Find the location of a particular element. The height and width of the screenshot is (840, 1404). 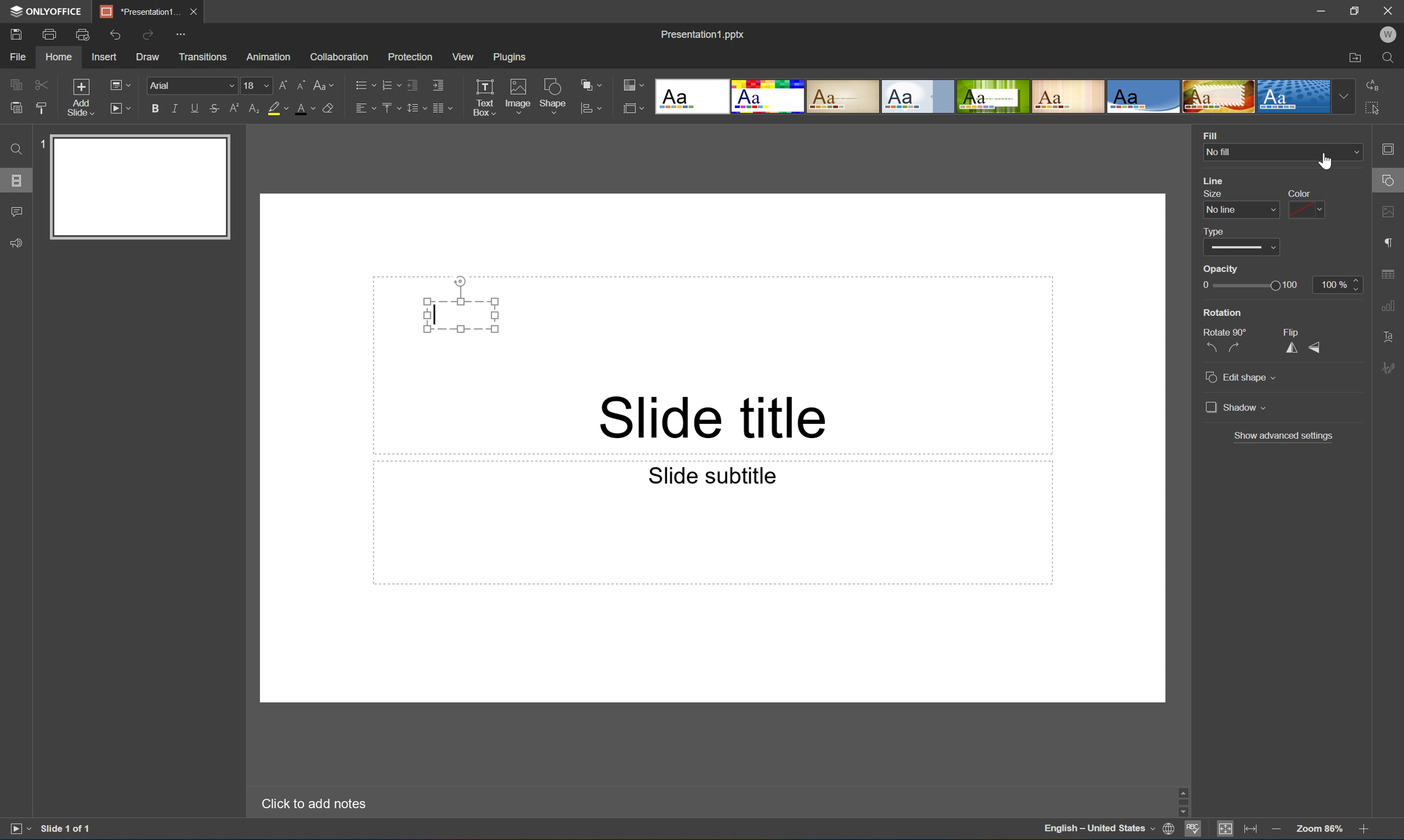

Strikethrough is located at coordinates (214, 109).